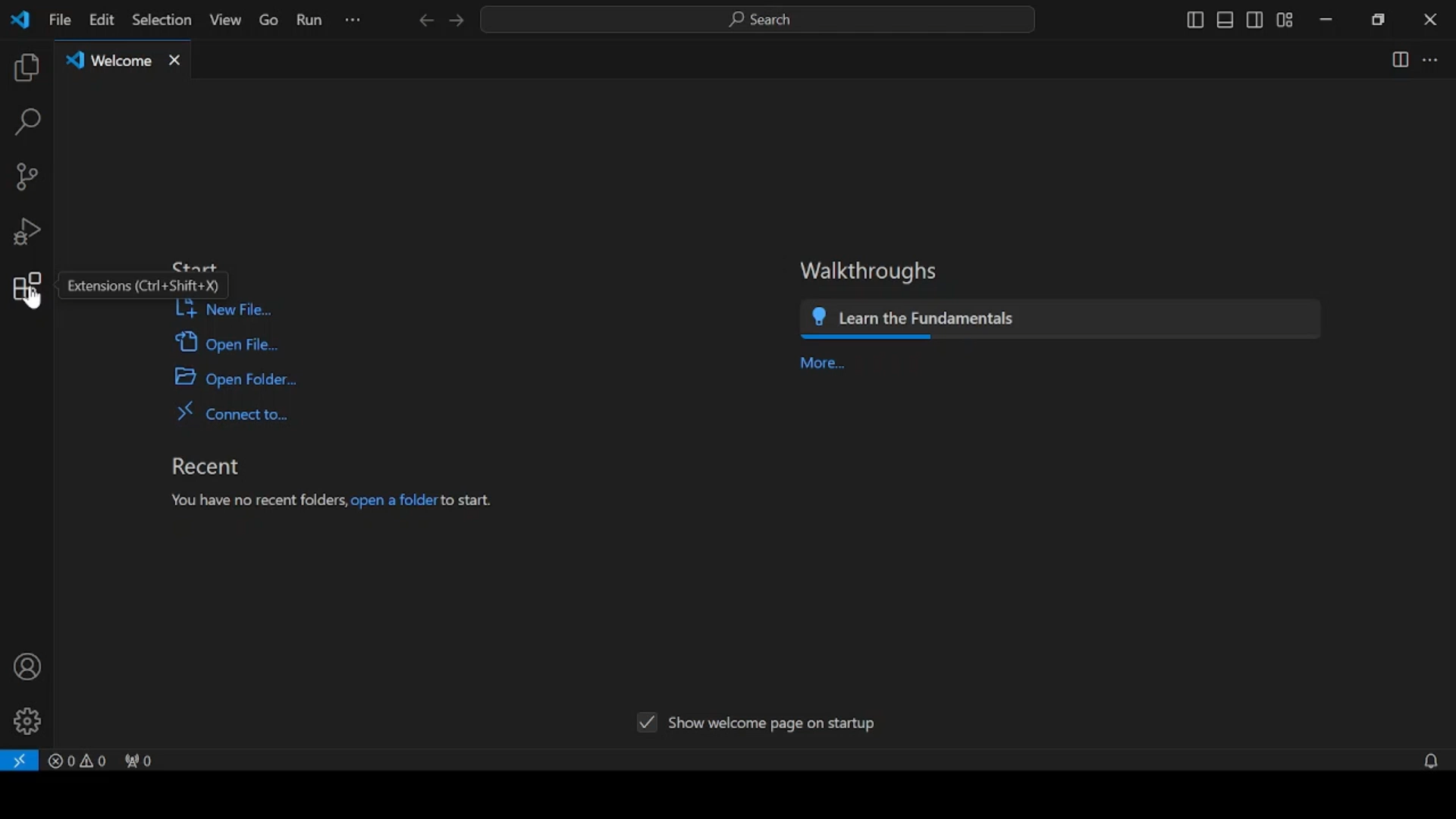  I want to click on open a remote window, so click(20, 761).